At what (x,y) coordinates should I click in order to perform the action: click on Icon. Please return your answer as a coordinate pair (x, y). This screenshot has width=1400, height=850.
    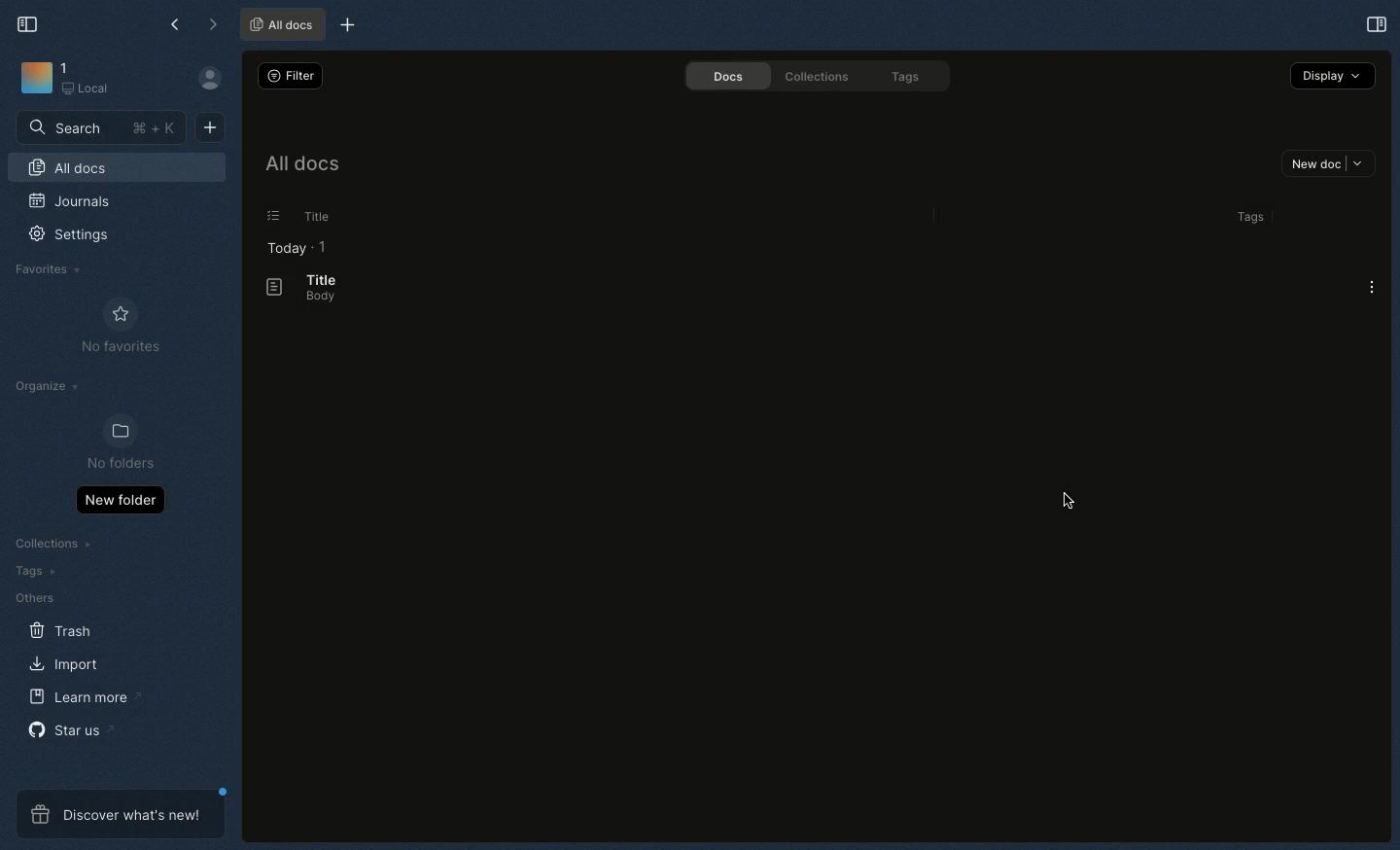
    Looking at the image, I should click on (35, 79).